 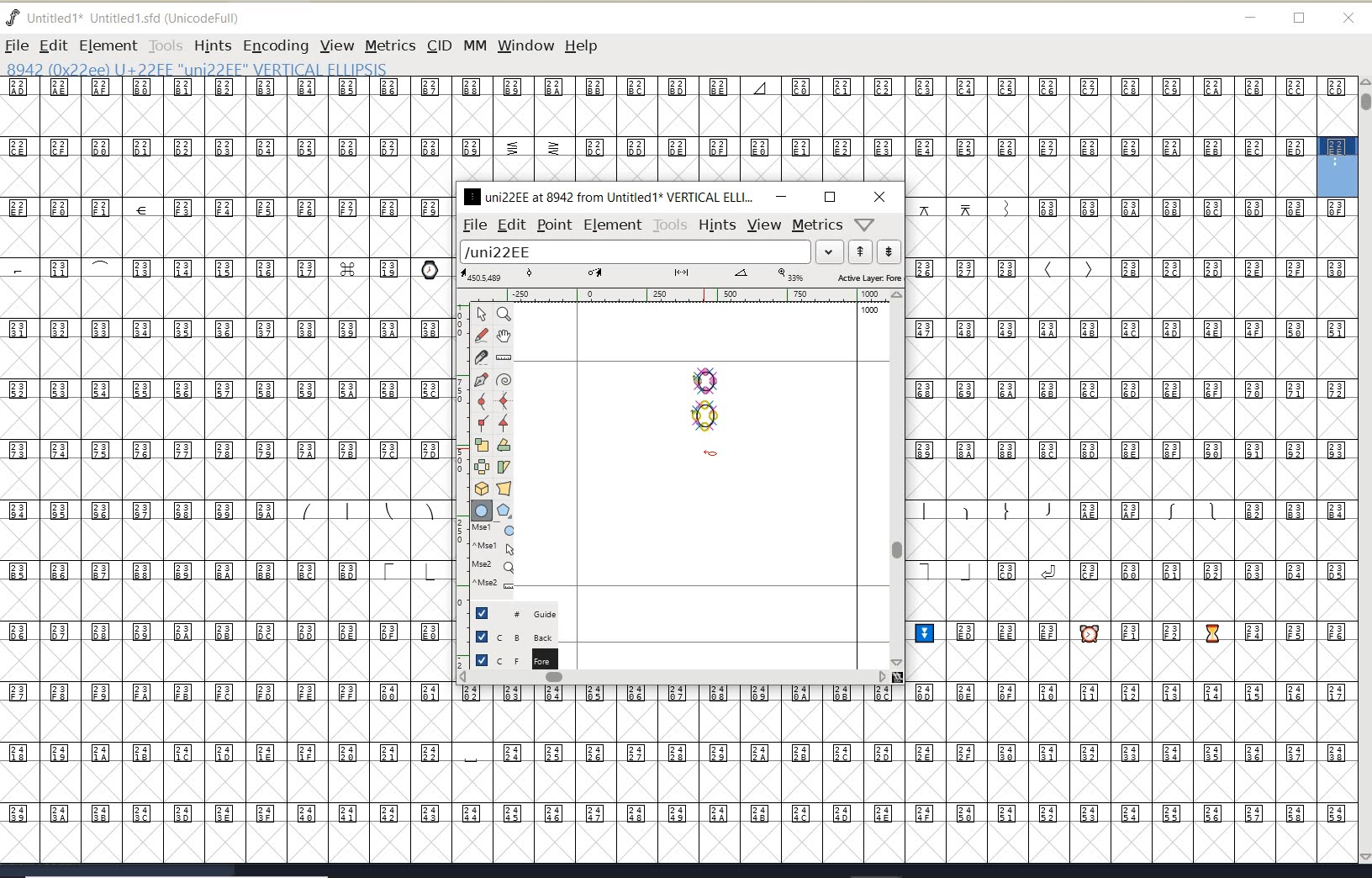 I want to click on skew the selection, so click(x=503, y=468).